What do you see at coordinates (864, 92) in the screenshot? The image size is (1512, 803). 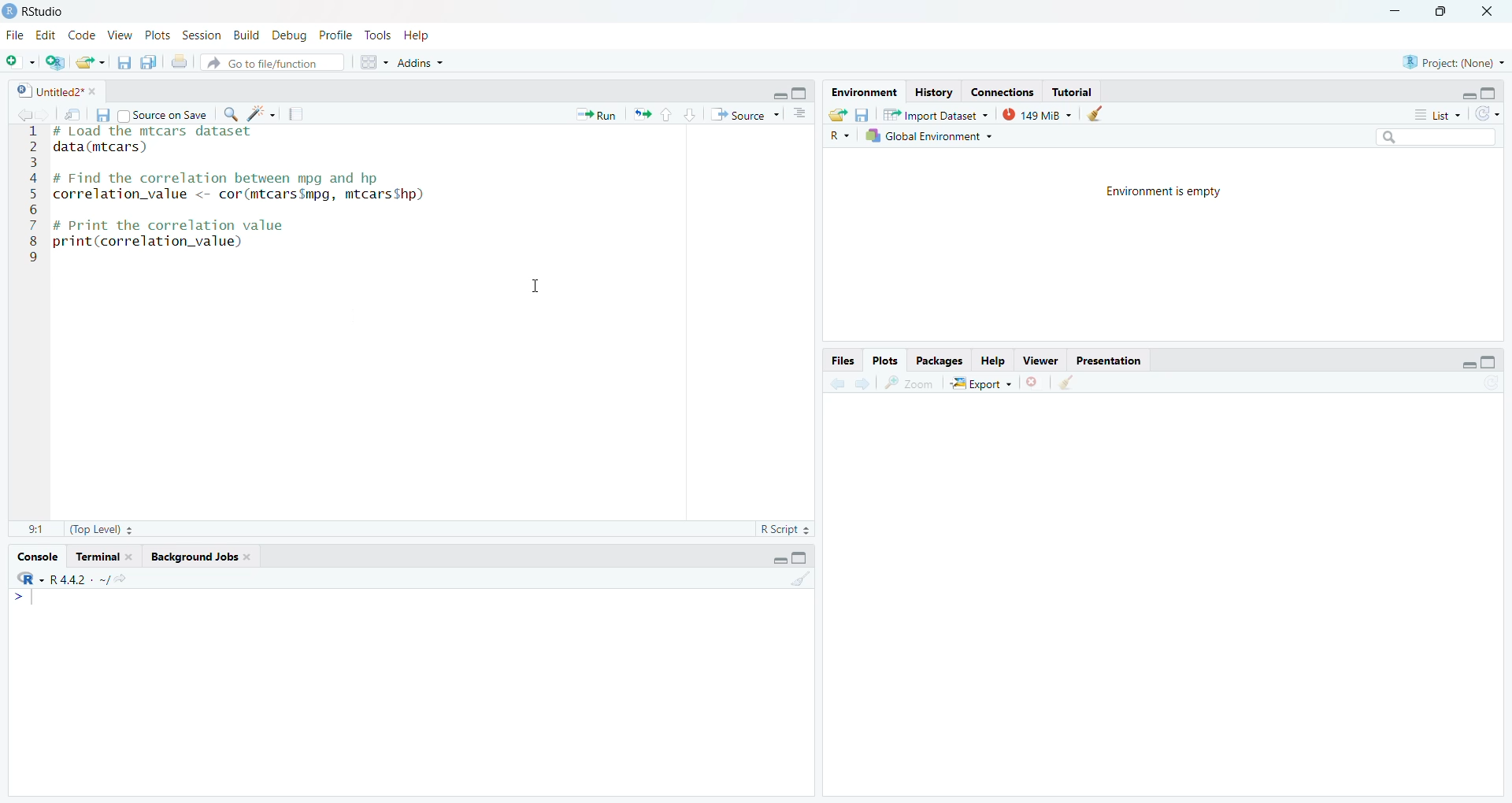 I see `Environment` at bounding box center [864, 92].